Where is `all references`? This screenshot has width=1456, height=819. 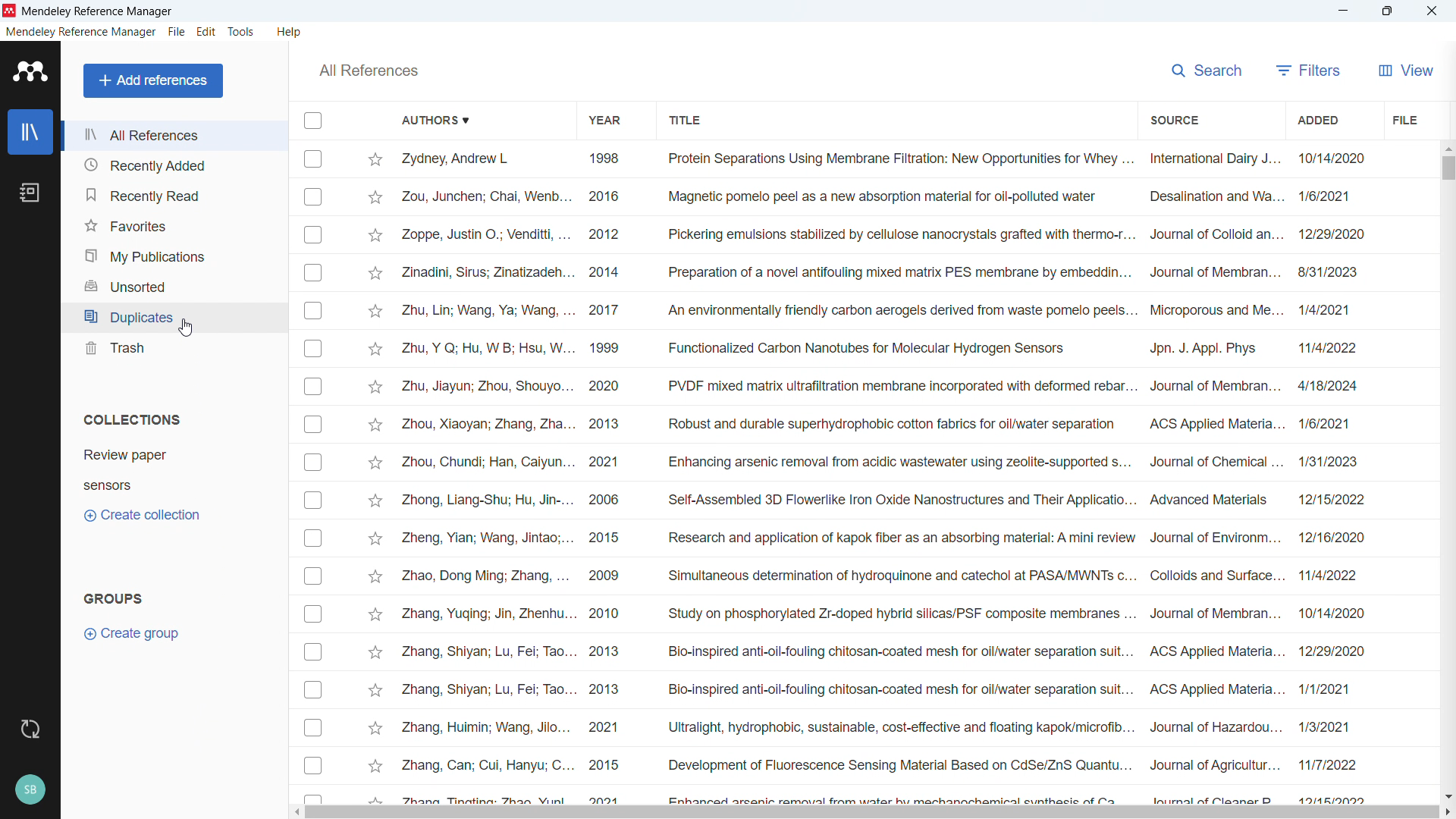 all references is located at coordinates (172, 135).